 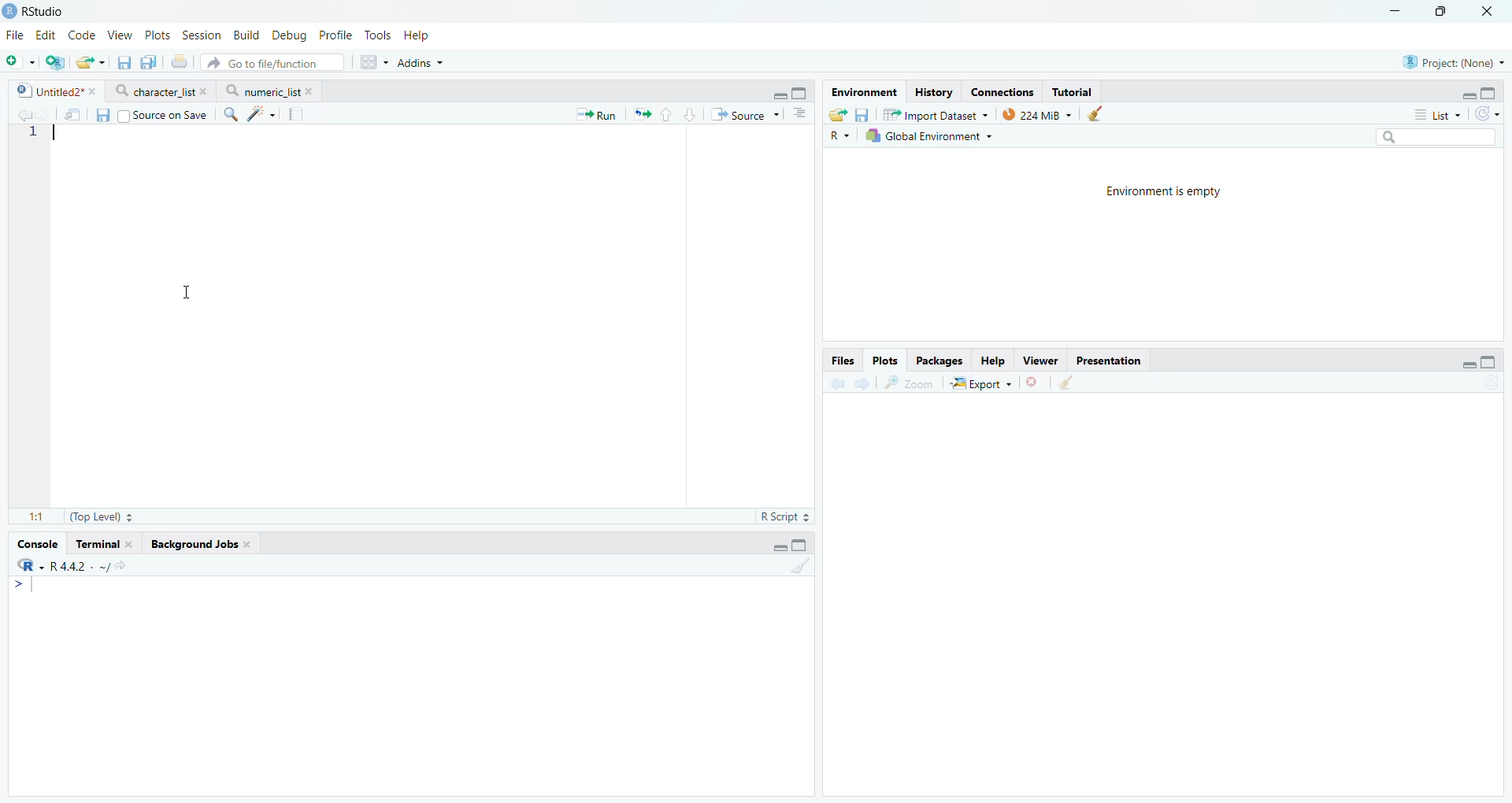 What do you see at coordinates (1037, 116) in the screenshot?
I see `224M` at bounding box center [1037, 116].